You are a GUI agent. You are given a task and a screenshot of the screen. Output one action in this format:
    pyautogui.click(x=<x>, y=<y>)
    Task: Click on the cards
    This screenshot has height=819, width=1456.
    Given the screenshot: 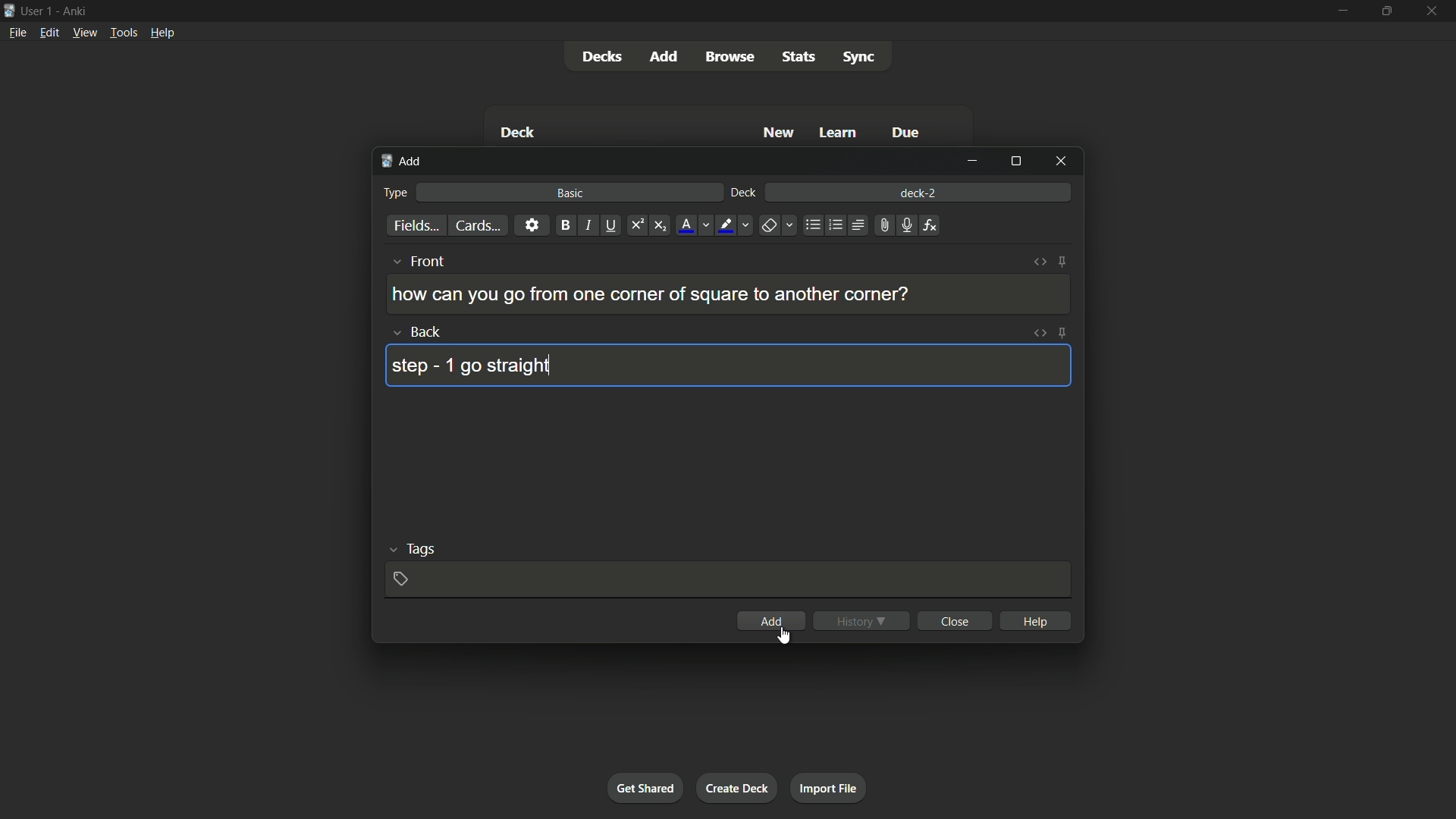 What is the action you would take?
    pyautogui.click(x=479, y=225)
    